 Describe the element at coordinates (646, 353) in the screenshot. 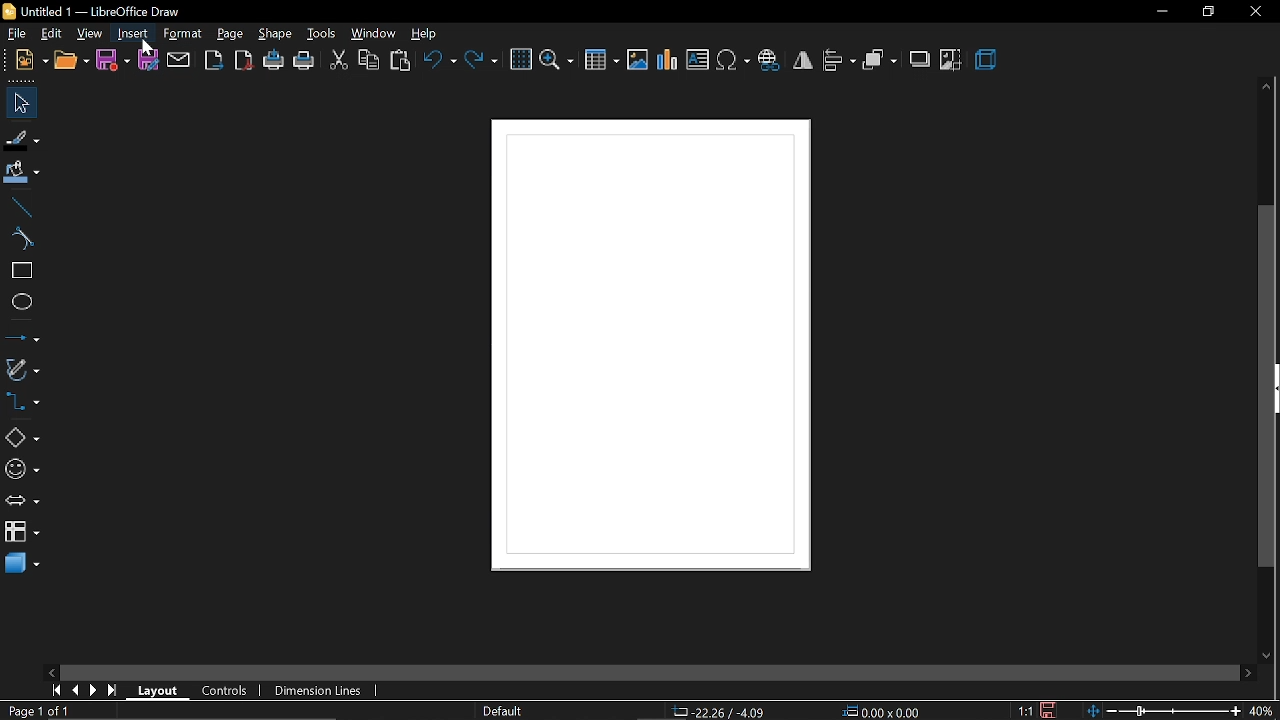

I see `current canvas` at that location.